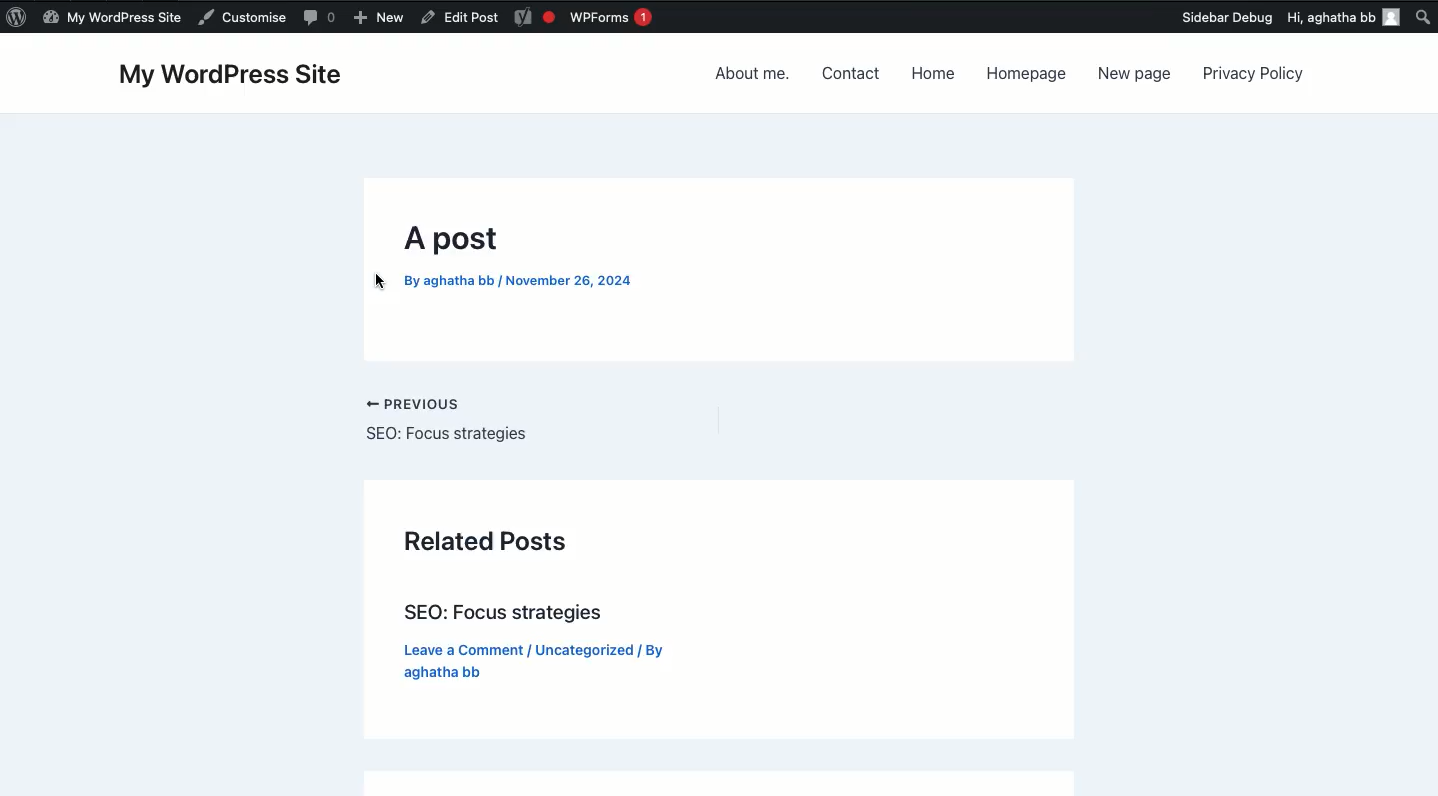 The image size is (1438, 796). What do you see at coordinates (450, 423) in the screenshot?
I see `Previous` at bounding box center [450, 423].